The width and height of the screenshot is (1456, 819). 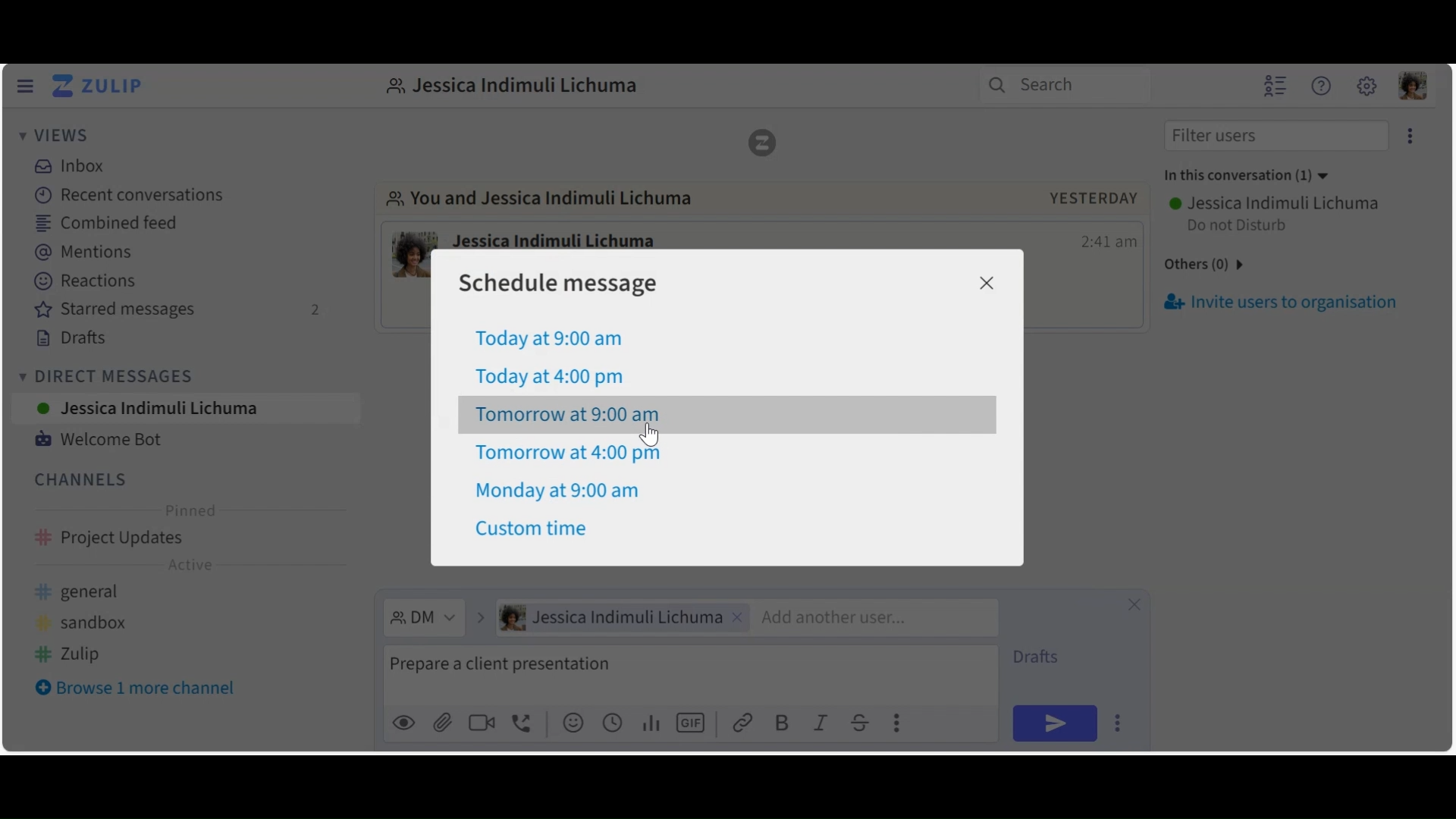 I want to click on Main menu, so click(x=1367, y=86).